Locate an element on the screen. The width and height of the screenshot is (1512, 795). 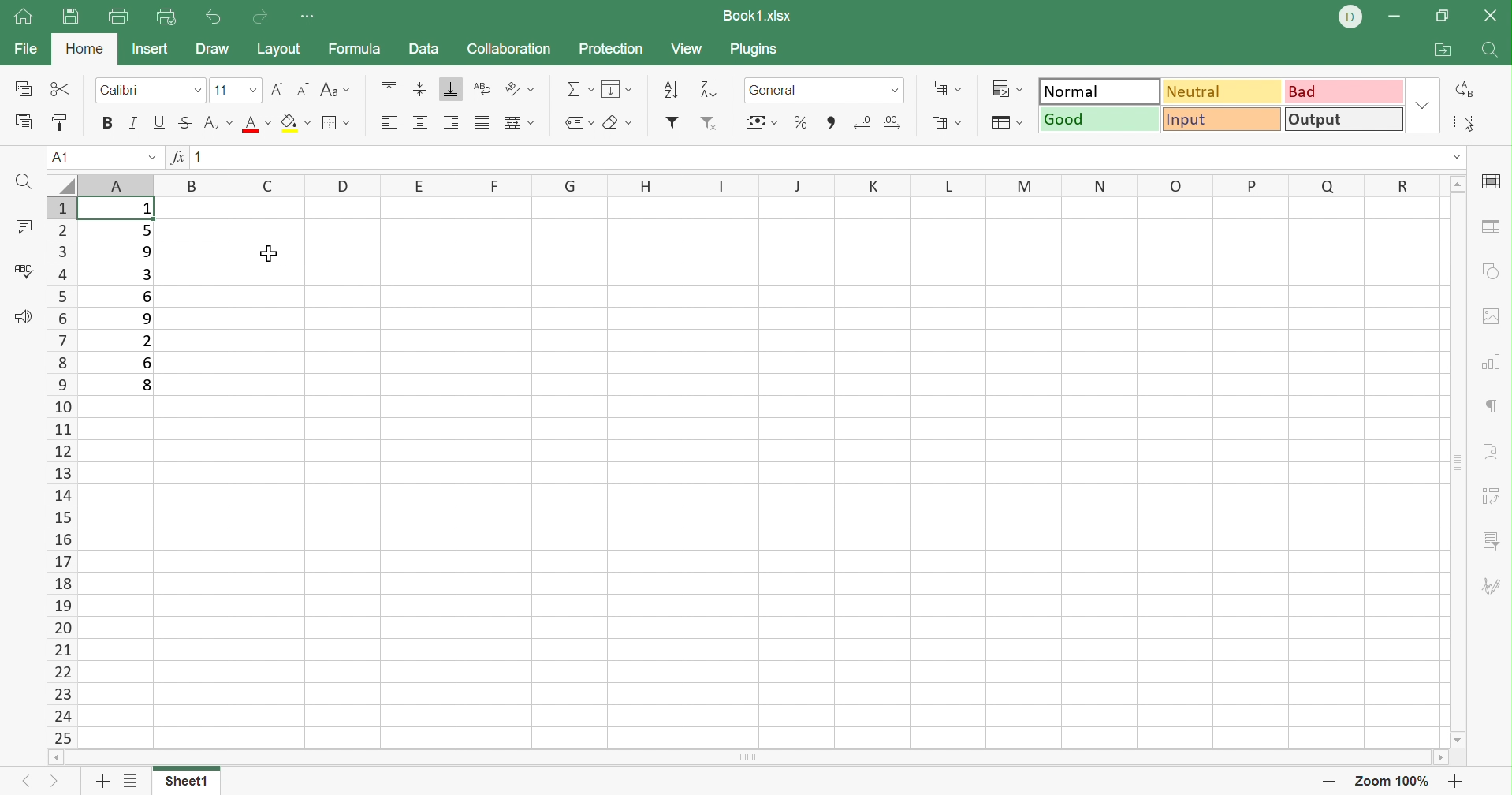
Italic is located at coordinates (136, 121).